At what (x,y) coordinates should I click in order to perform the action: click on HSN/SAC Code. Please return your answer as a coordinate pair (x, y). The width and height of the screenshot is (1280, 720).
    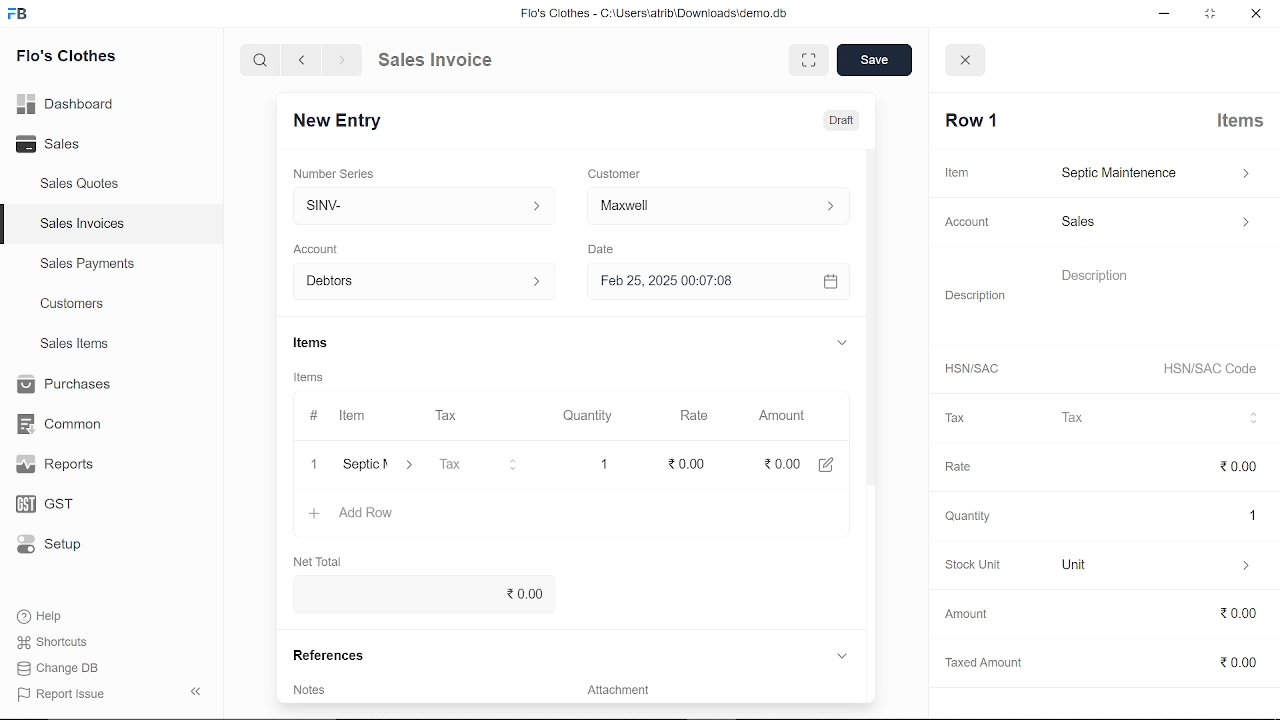
    Looking at the image, I should click on (1210, 371).